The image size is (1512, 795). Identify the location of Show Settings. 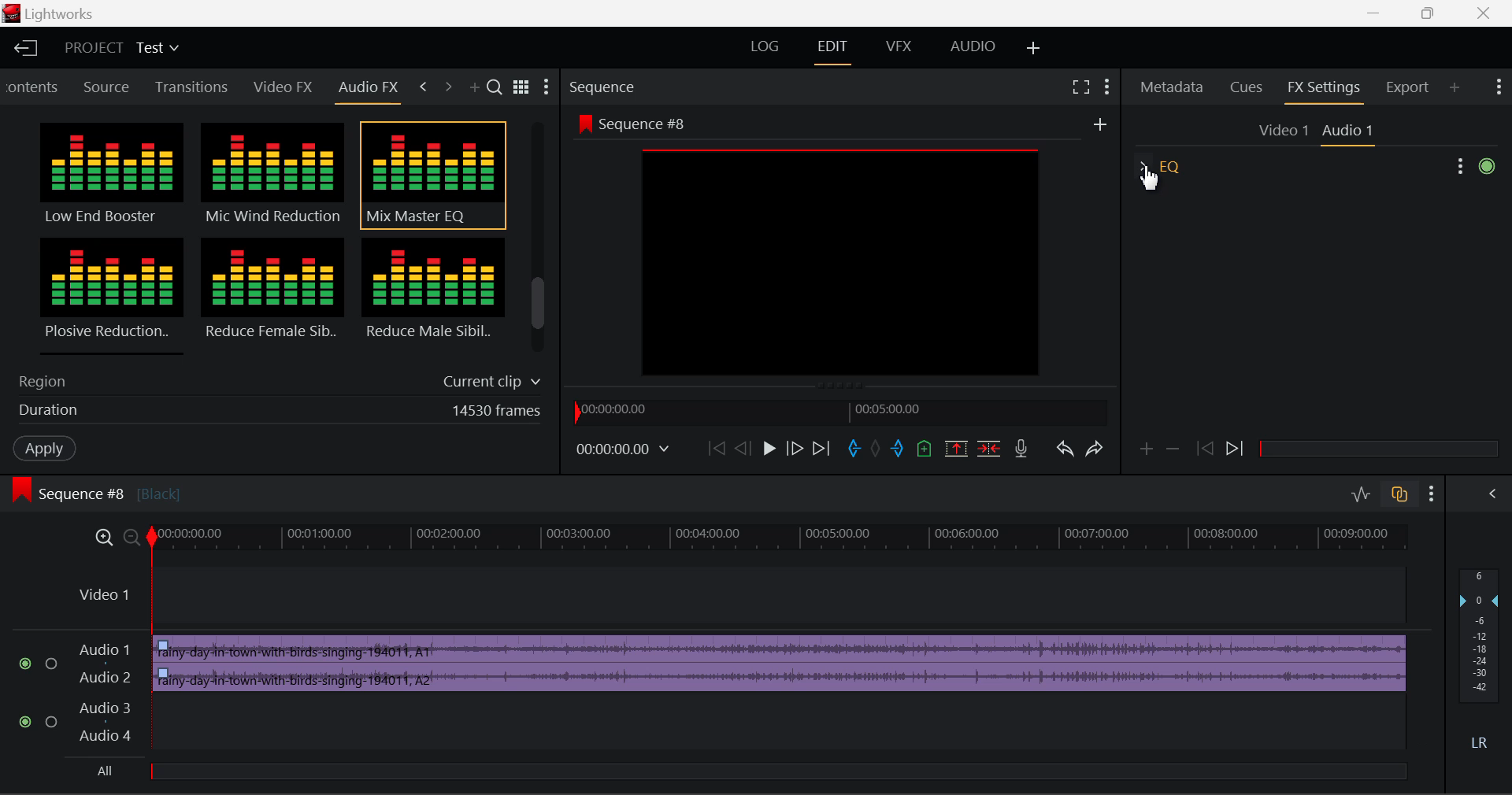
(1435, 494).